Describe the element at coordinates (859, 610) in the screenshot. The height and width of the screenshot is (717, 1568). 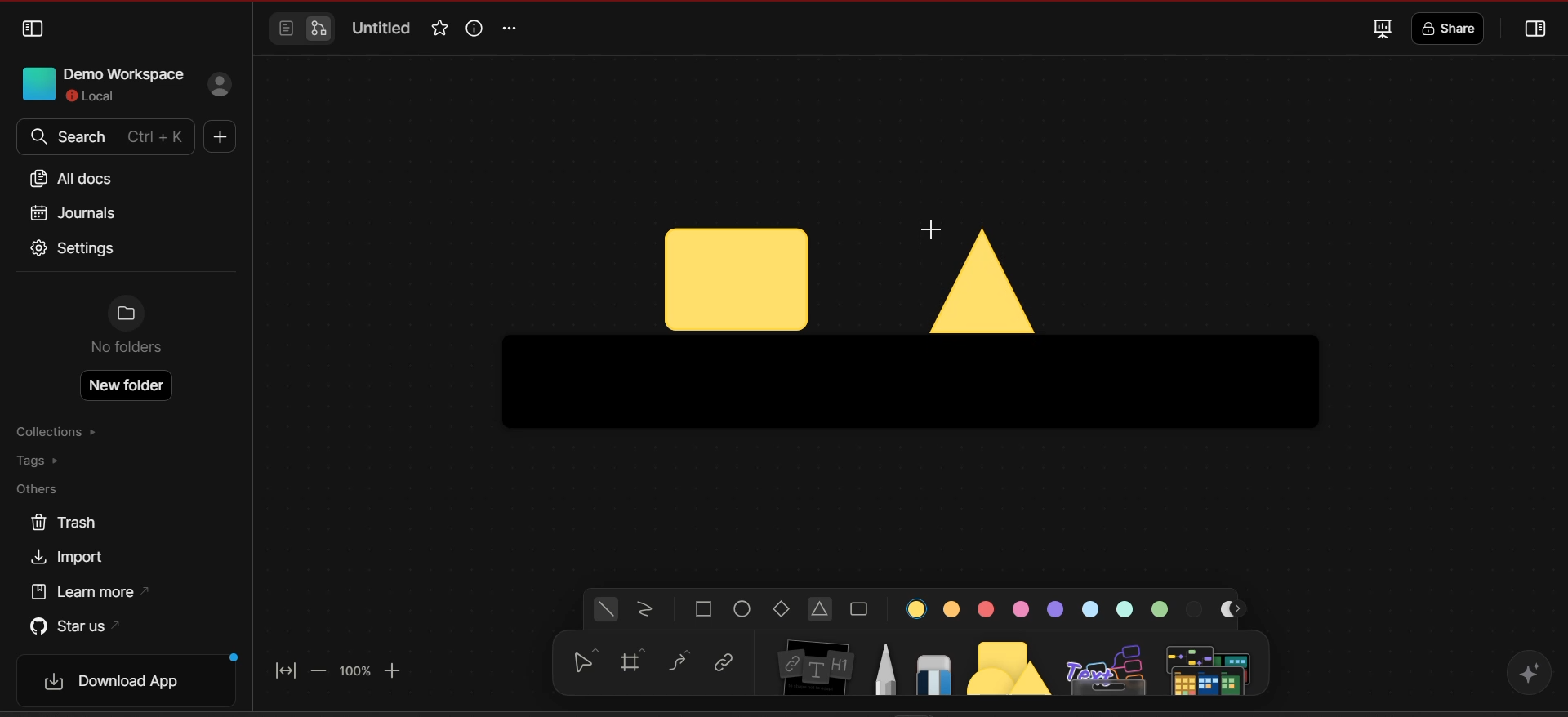
I see `rounded rectangle` at that location.